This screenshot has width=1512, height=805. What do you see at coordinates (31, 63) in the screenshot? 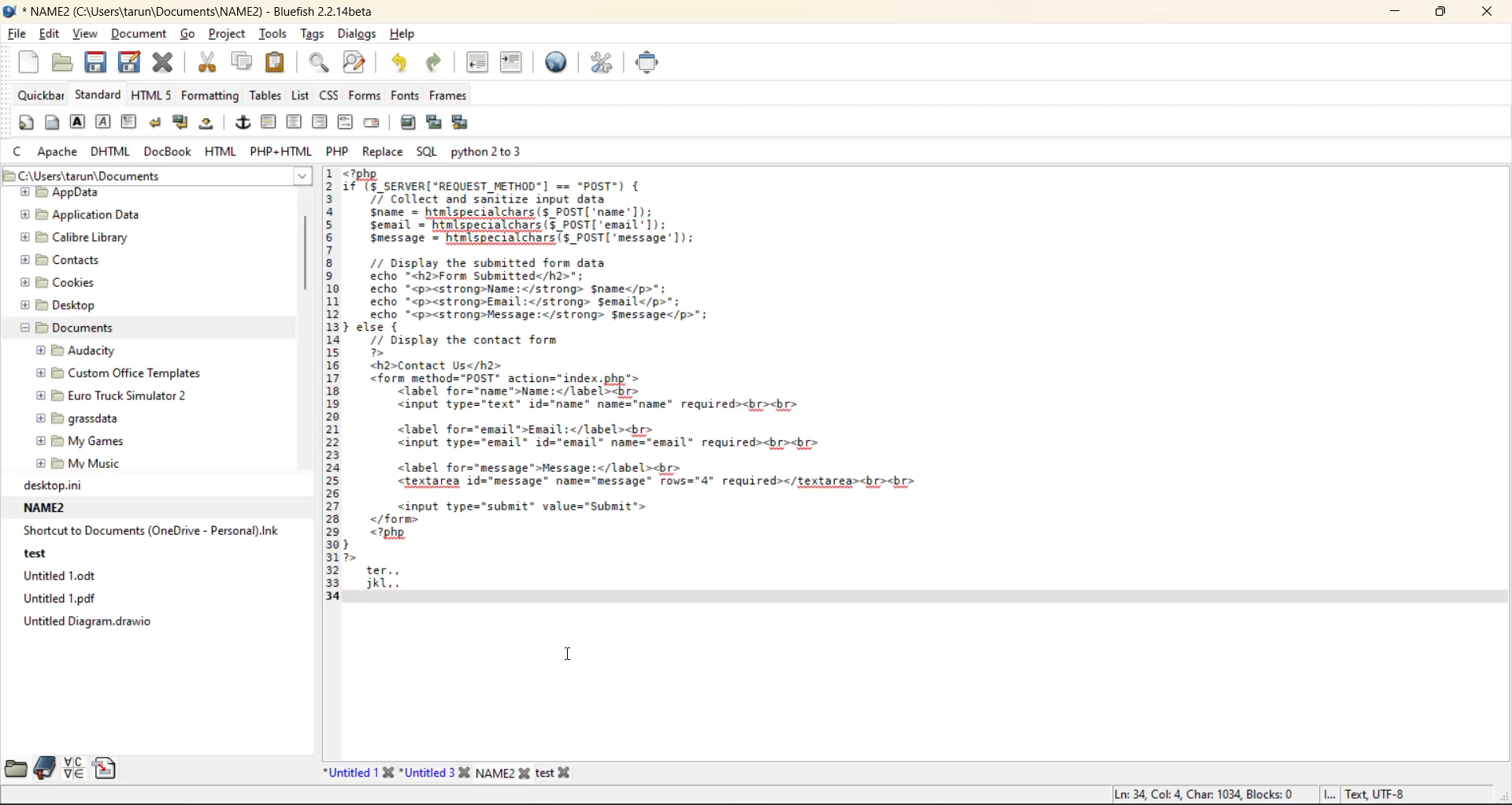
I see `new` at bounding box center [31, 63].